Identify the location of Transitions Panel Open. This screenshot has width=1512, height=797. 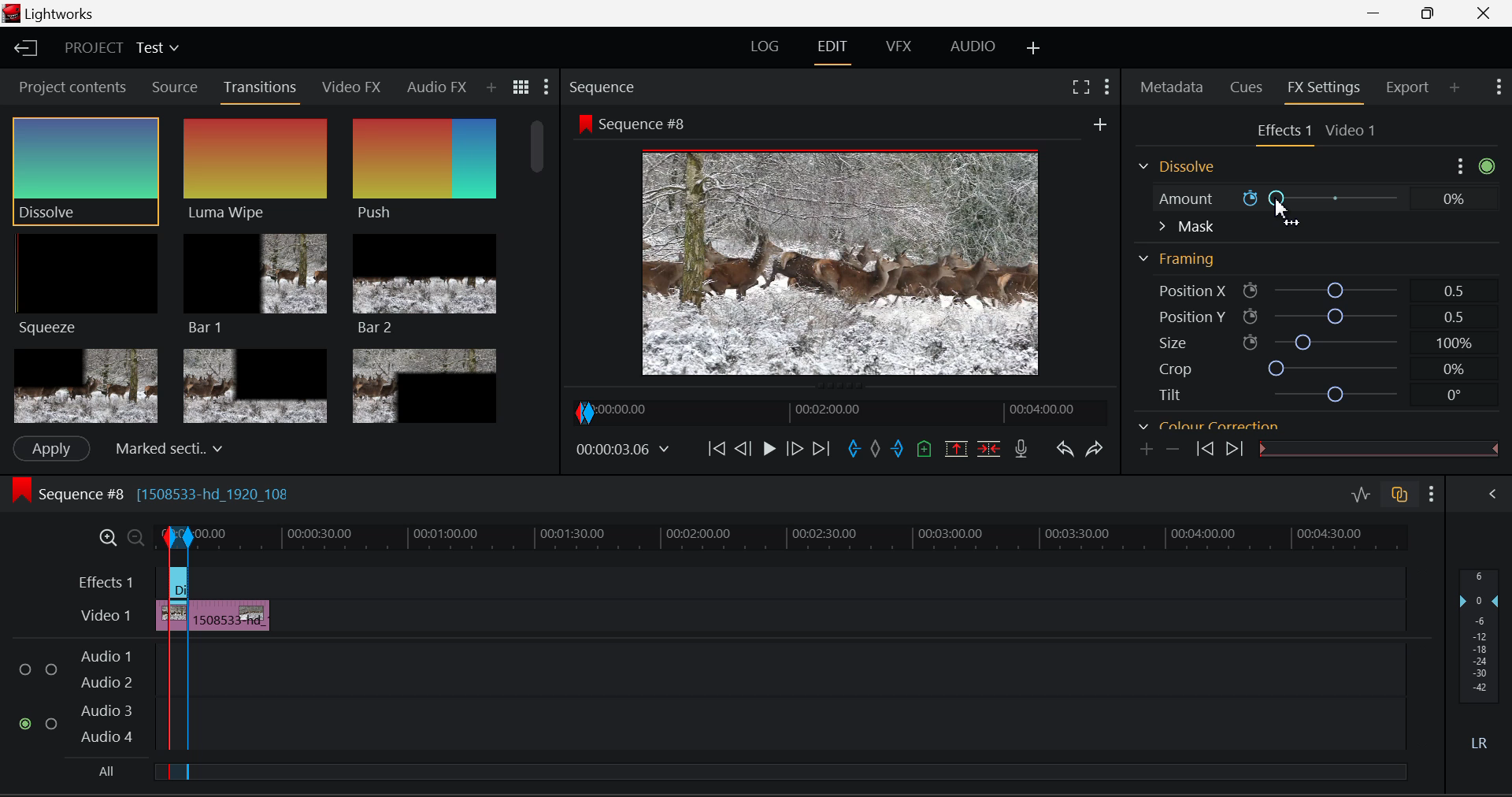
(261, 91).